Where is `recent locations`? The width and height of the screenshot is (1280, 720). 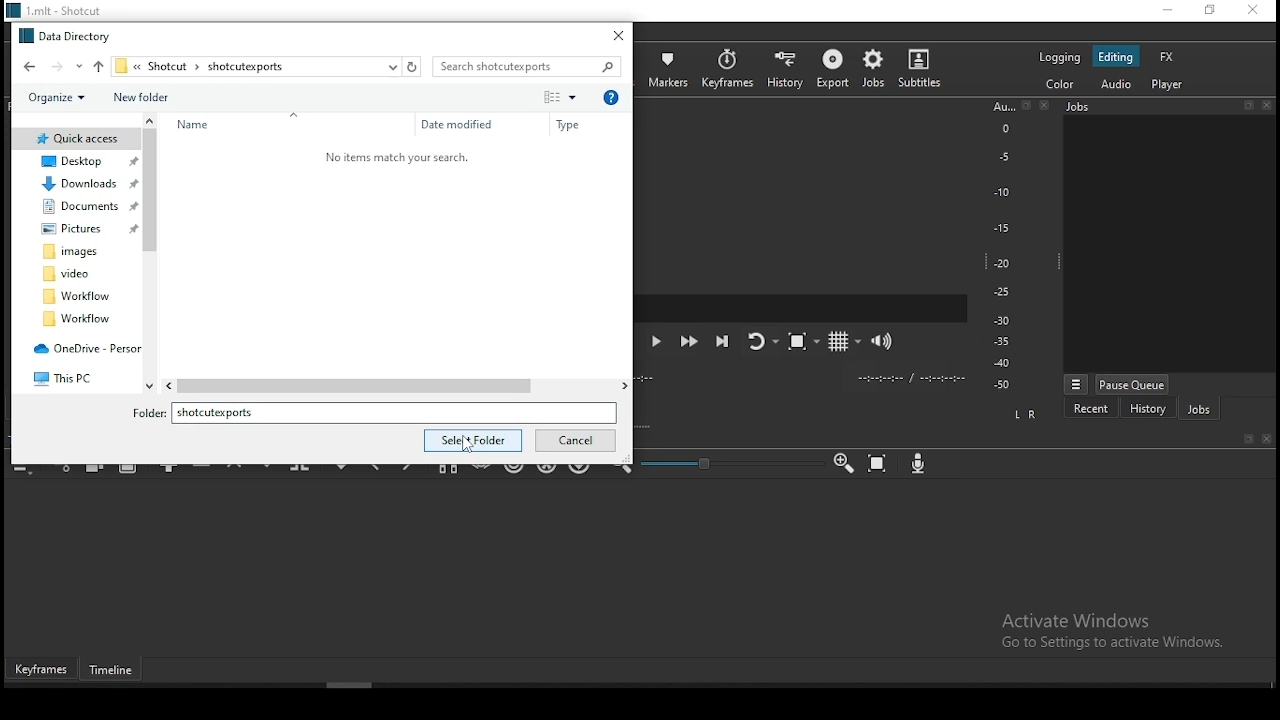 recent locations is located at coordinates (391, 66).